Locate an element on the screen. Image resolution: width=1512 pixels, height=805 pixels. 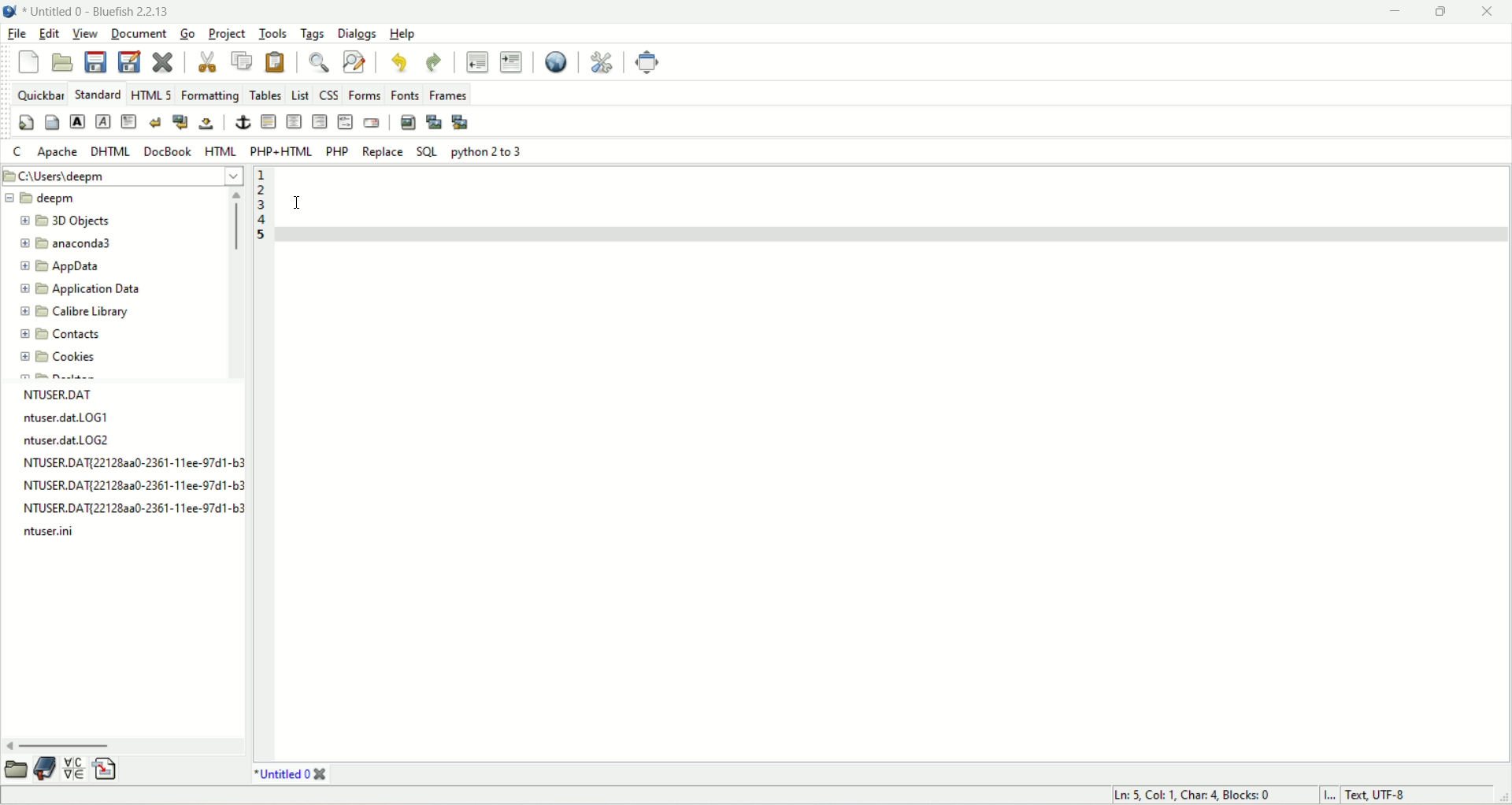
cut is located at coordinates (206, 62).